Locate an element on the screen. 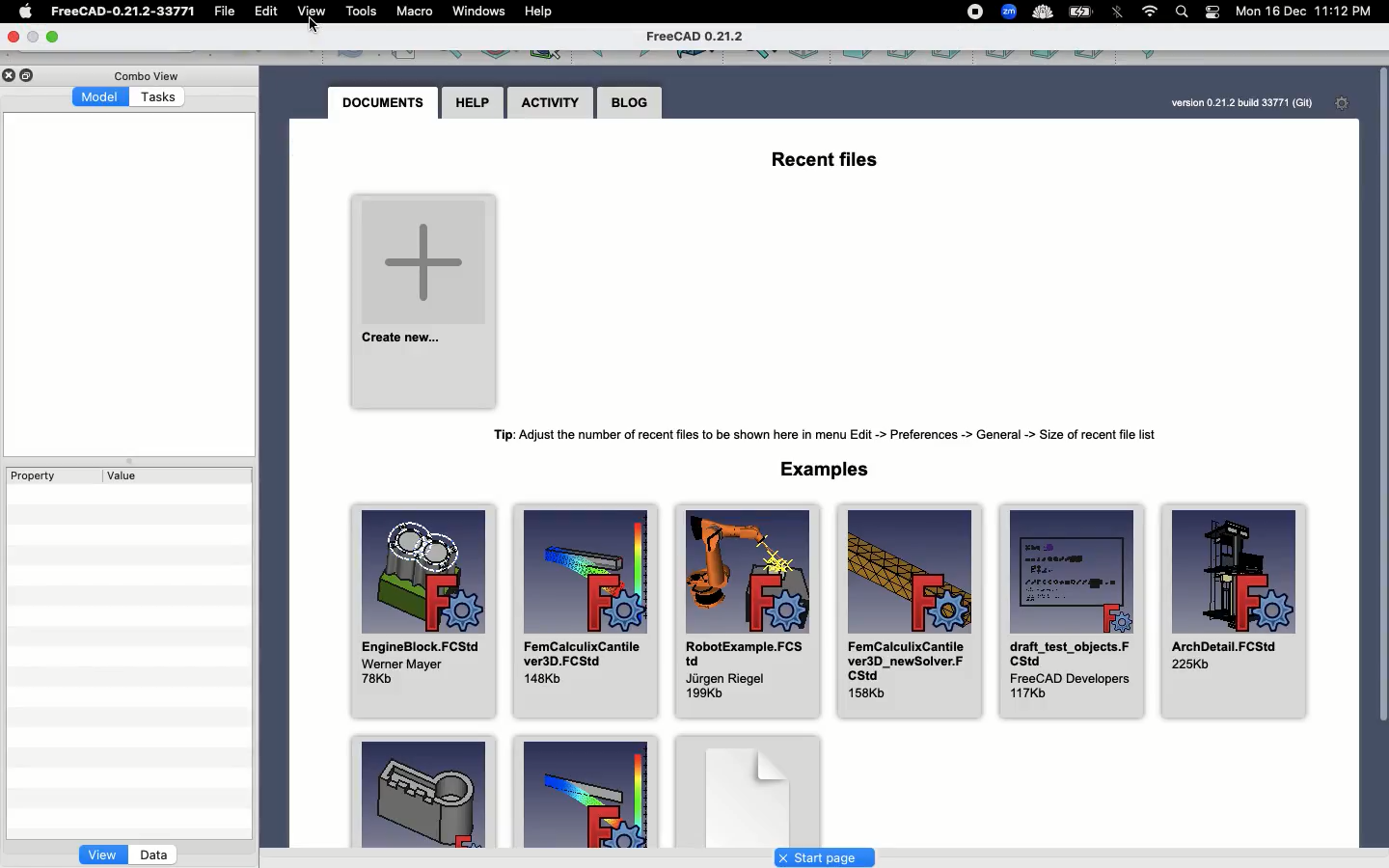  Charge is located at coordinates (1083, 12).